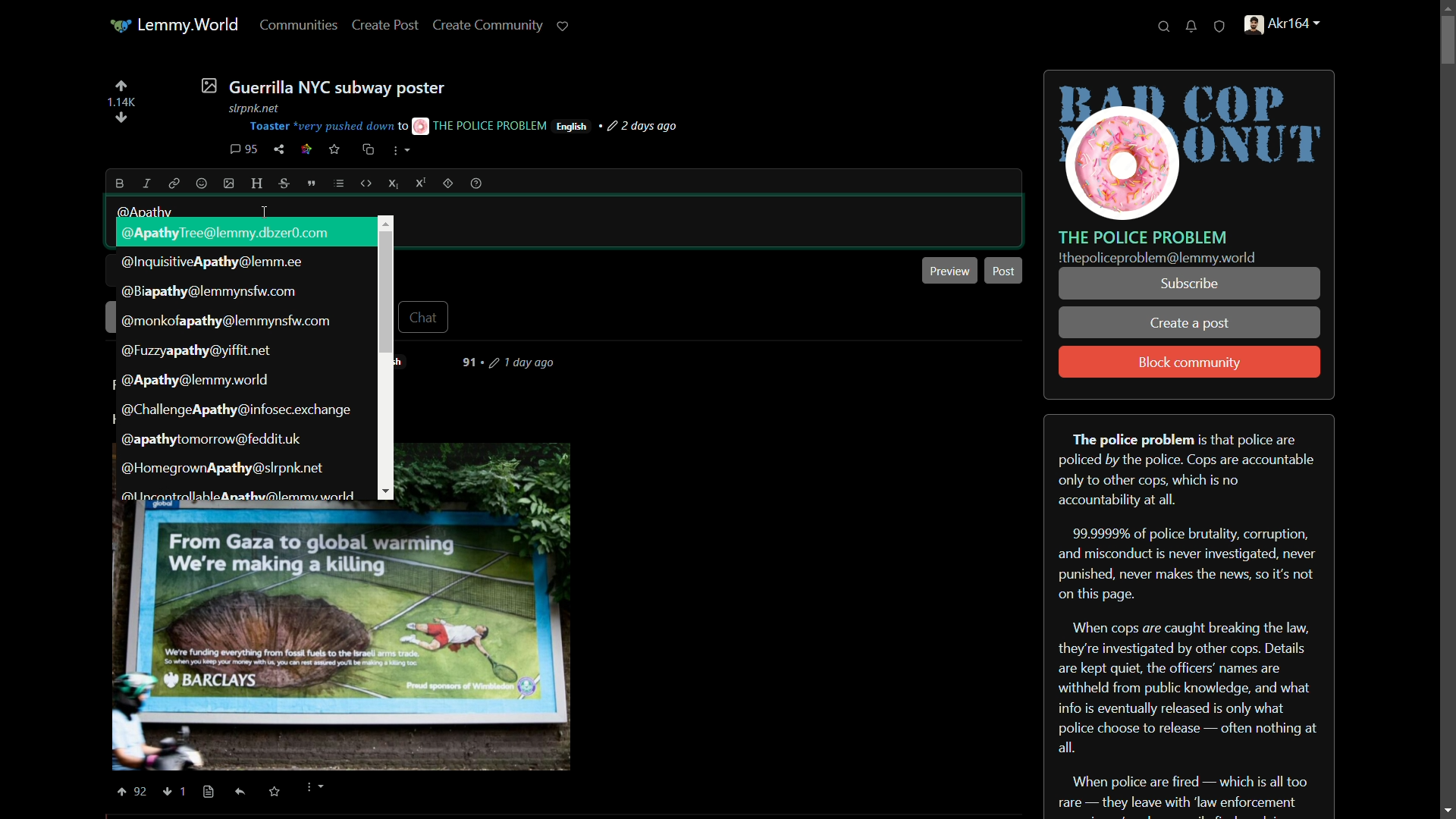  Describe the element at coordinates (645, 127) in the screenshot. I see `post-time` at that location.